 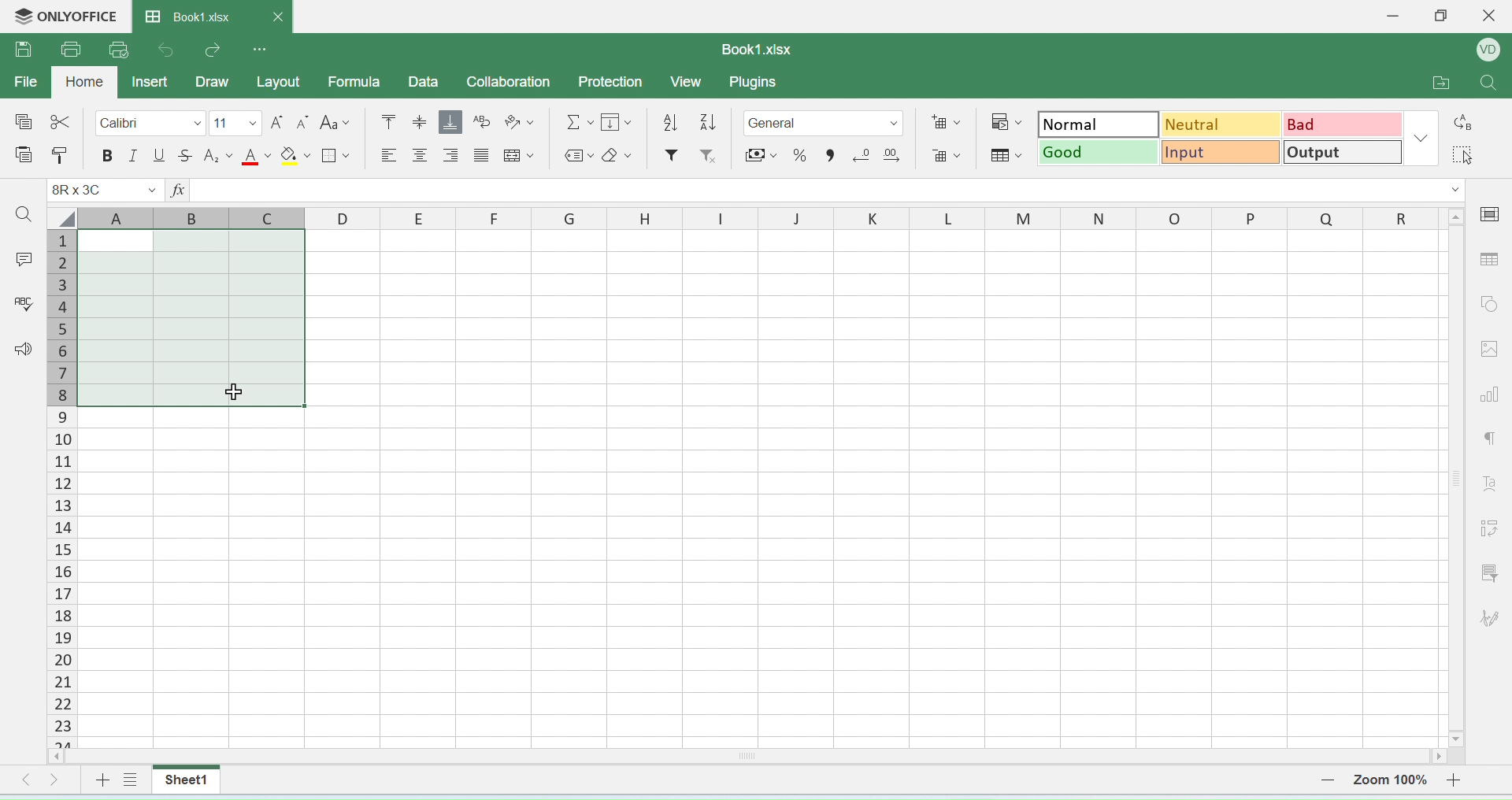 I want to click on bolde, so click(x=106, y=157).